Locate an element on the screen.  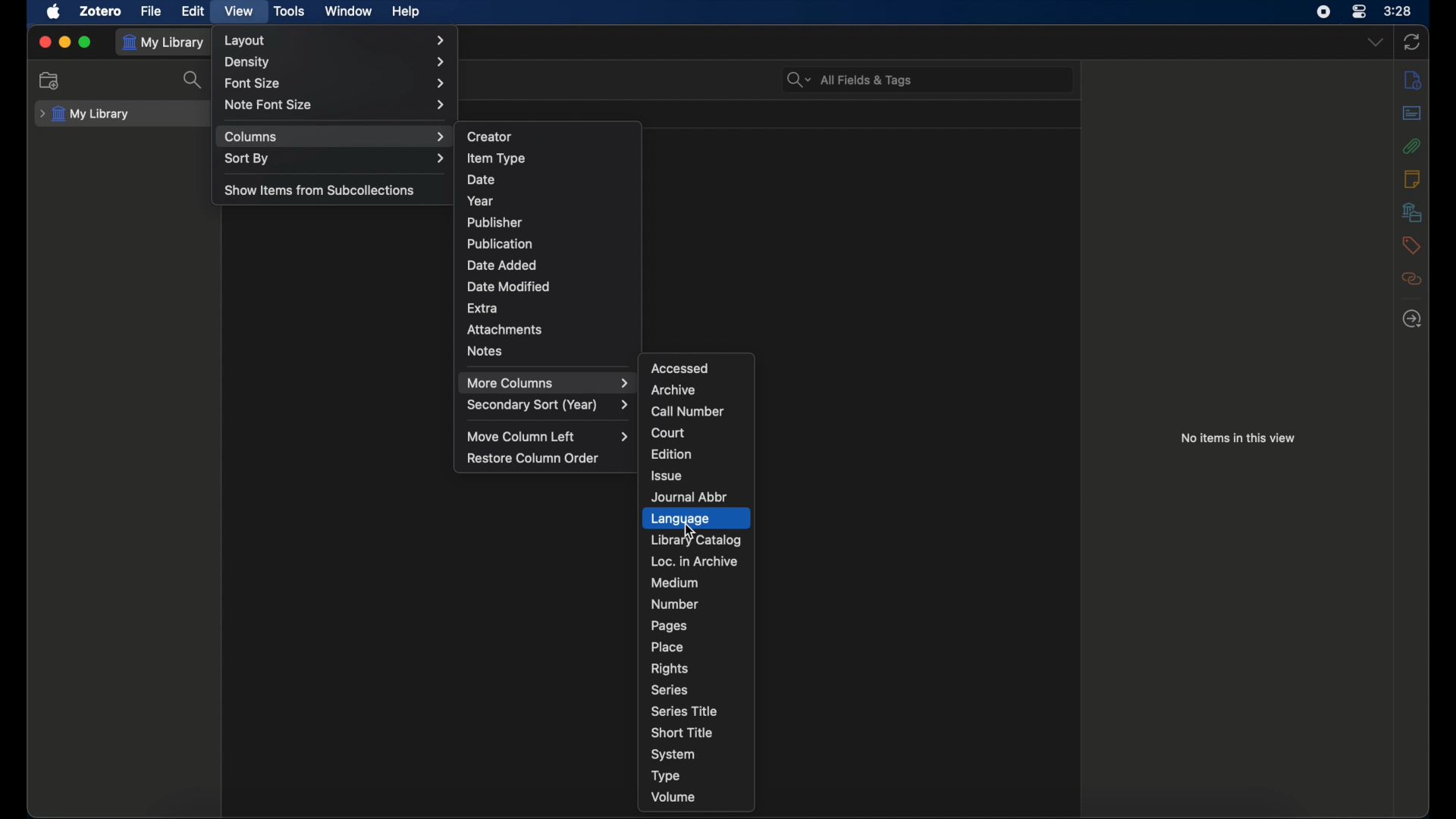
columns is located at coordinates (335, 137).